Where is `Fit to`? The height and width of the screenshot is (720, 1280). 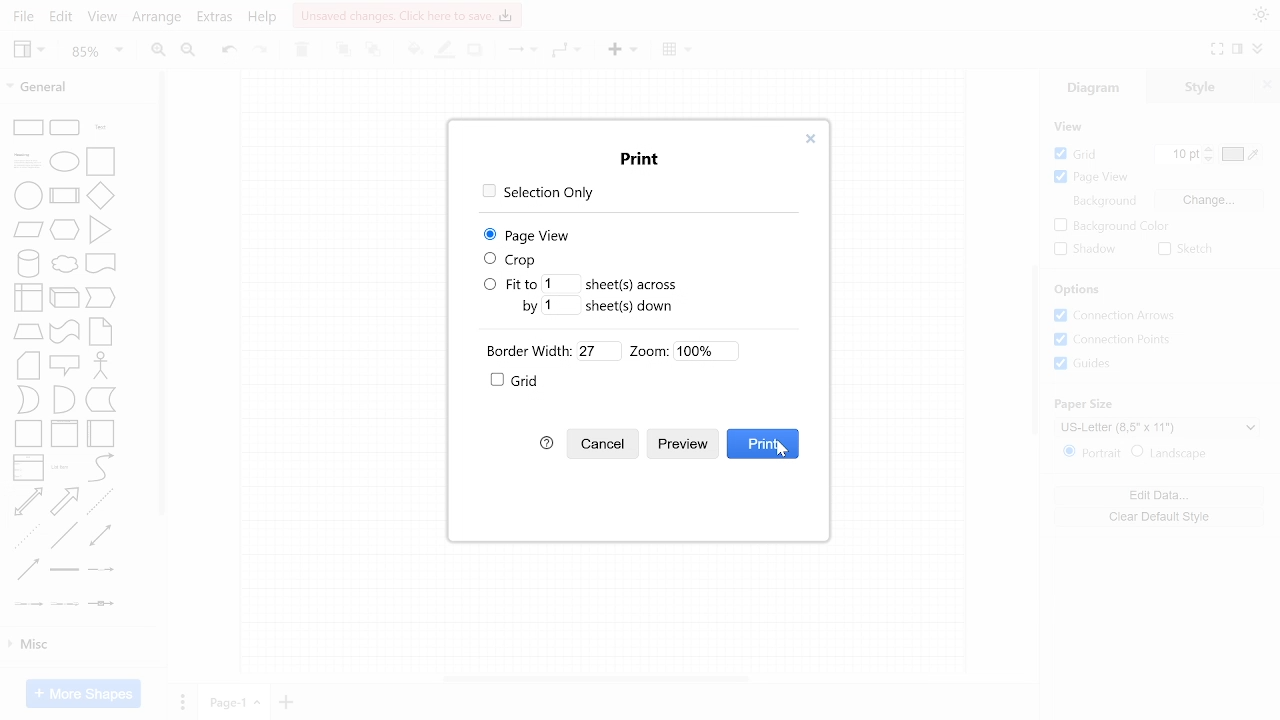 Fit to is located at coordinates (510, 284).